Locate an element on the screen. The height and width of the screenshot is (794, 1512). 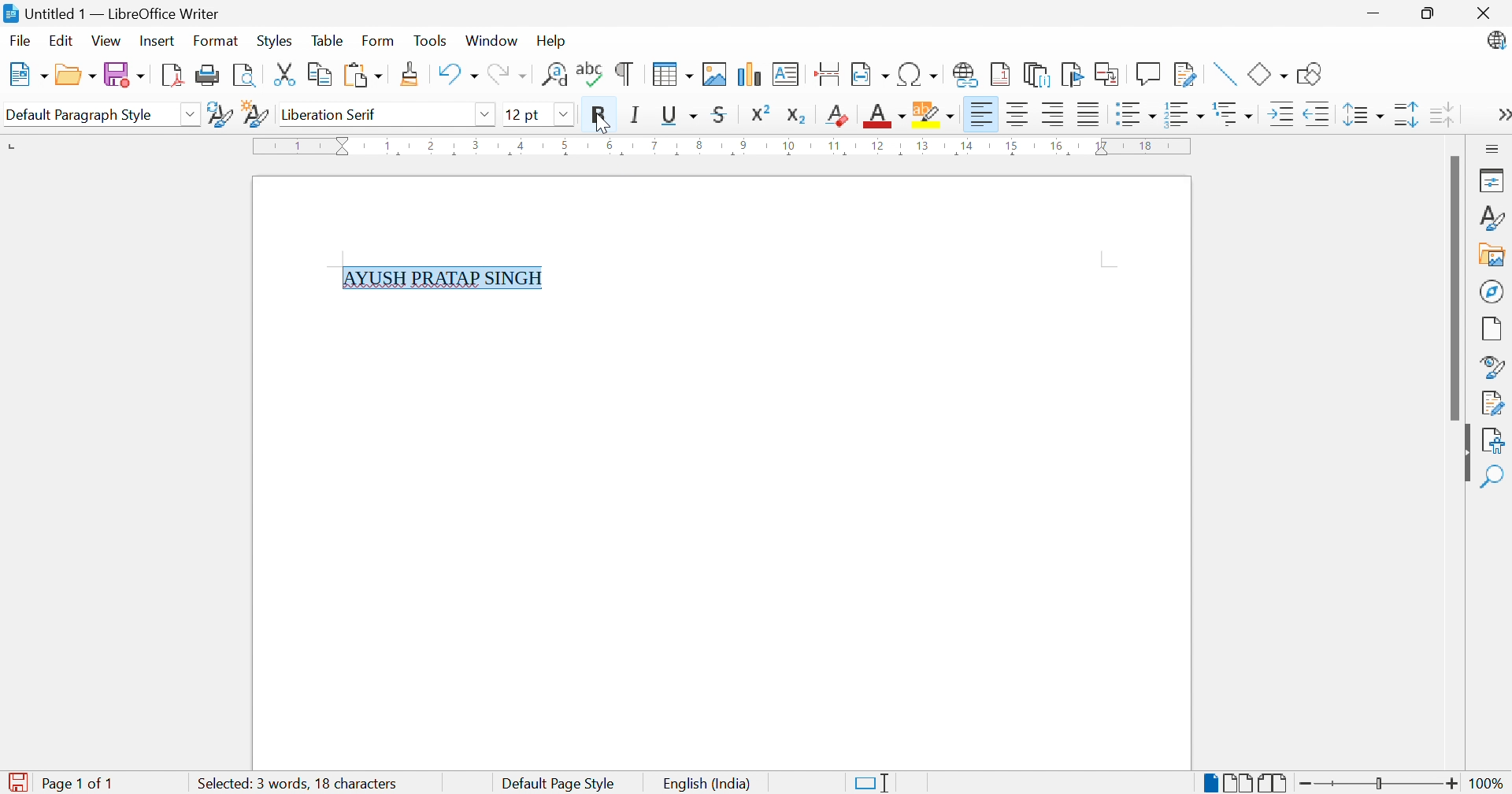
Align Right is located at coordinates (1053, 115).